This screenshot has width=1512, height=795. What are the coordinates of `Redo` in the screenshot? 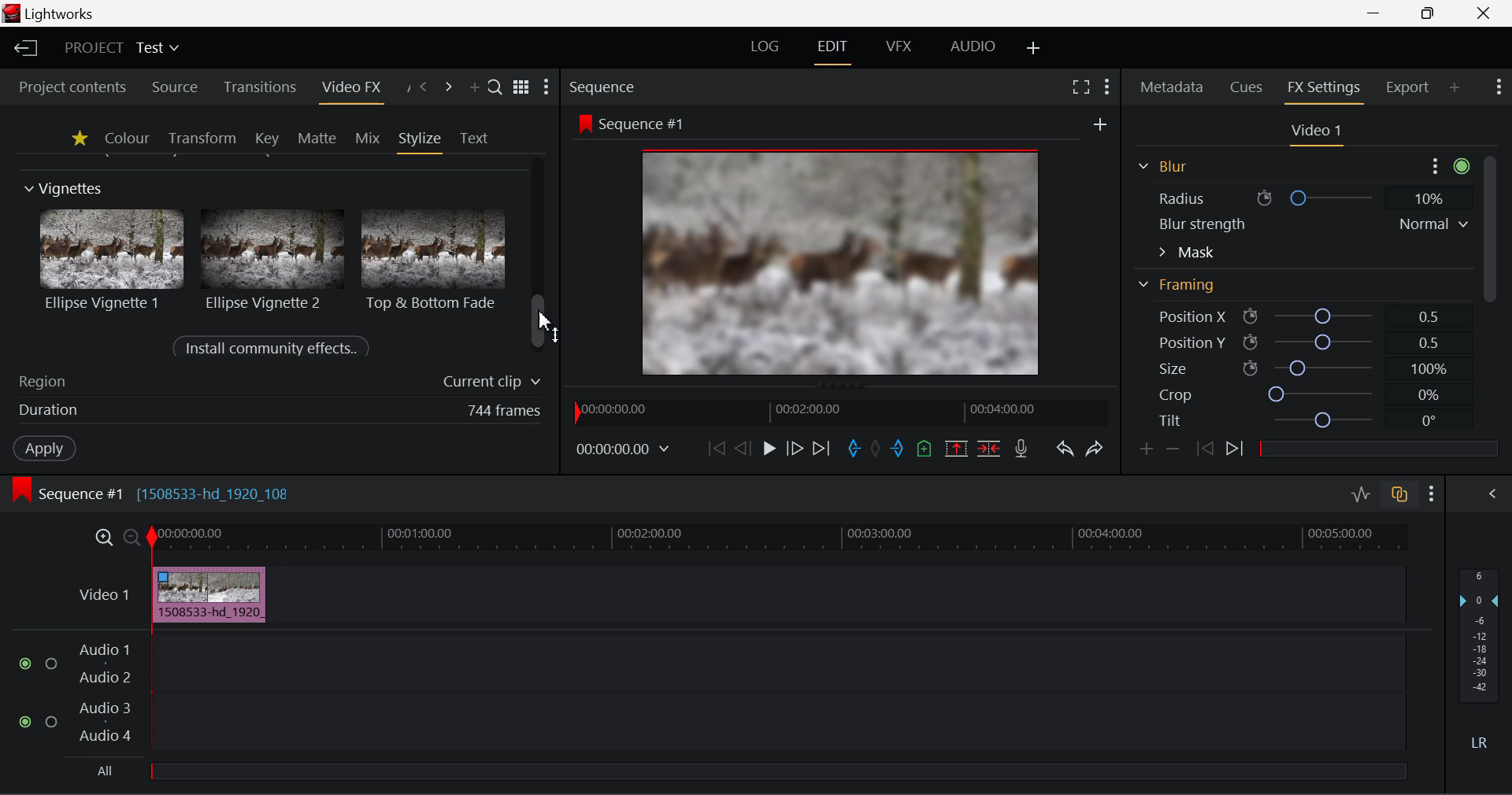 It's located at (1092, 447).